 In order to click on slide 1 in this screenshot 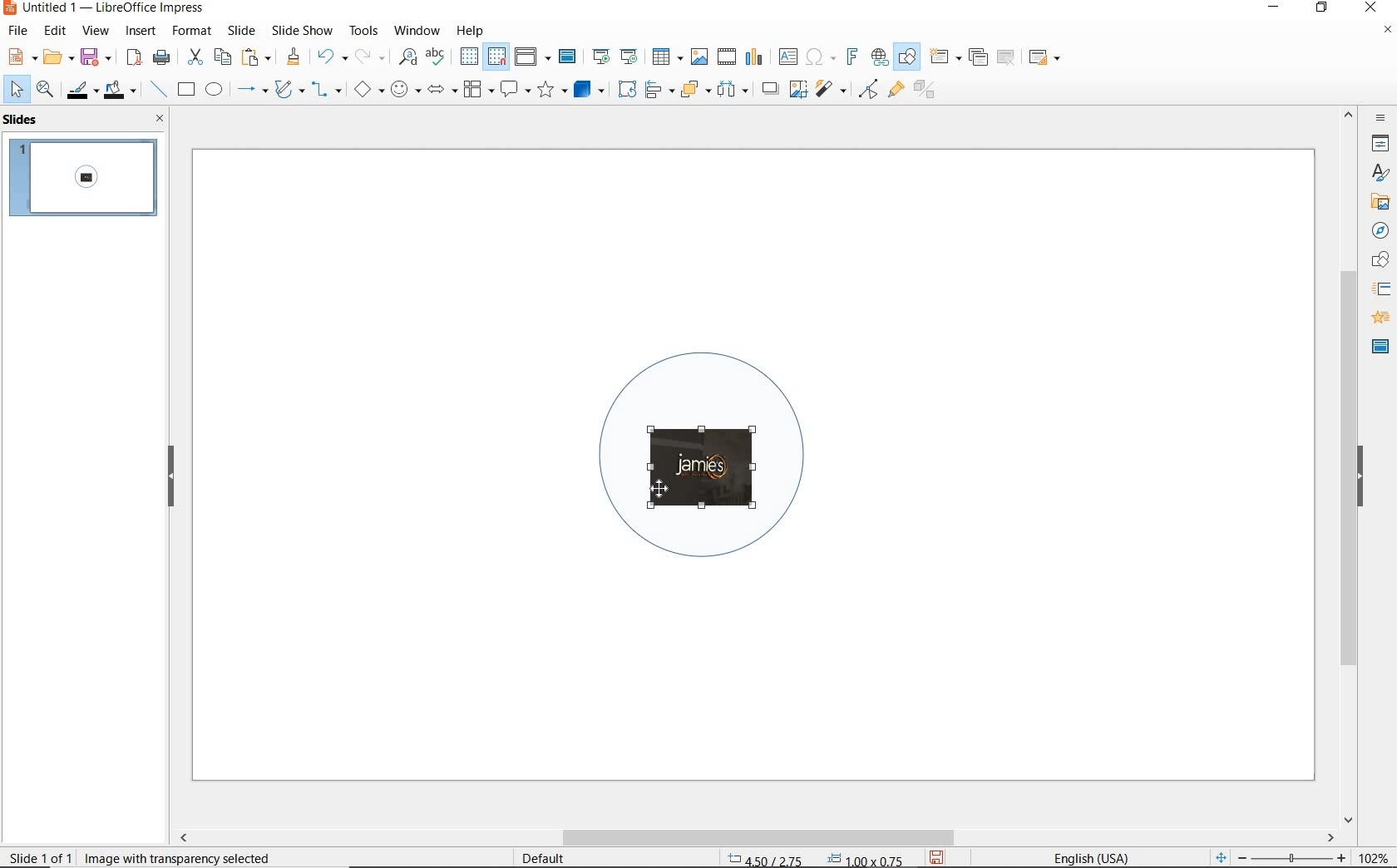, I will do `click(86, 180)`.